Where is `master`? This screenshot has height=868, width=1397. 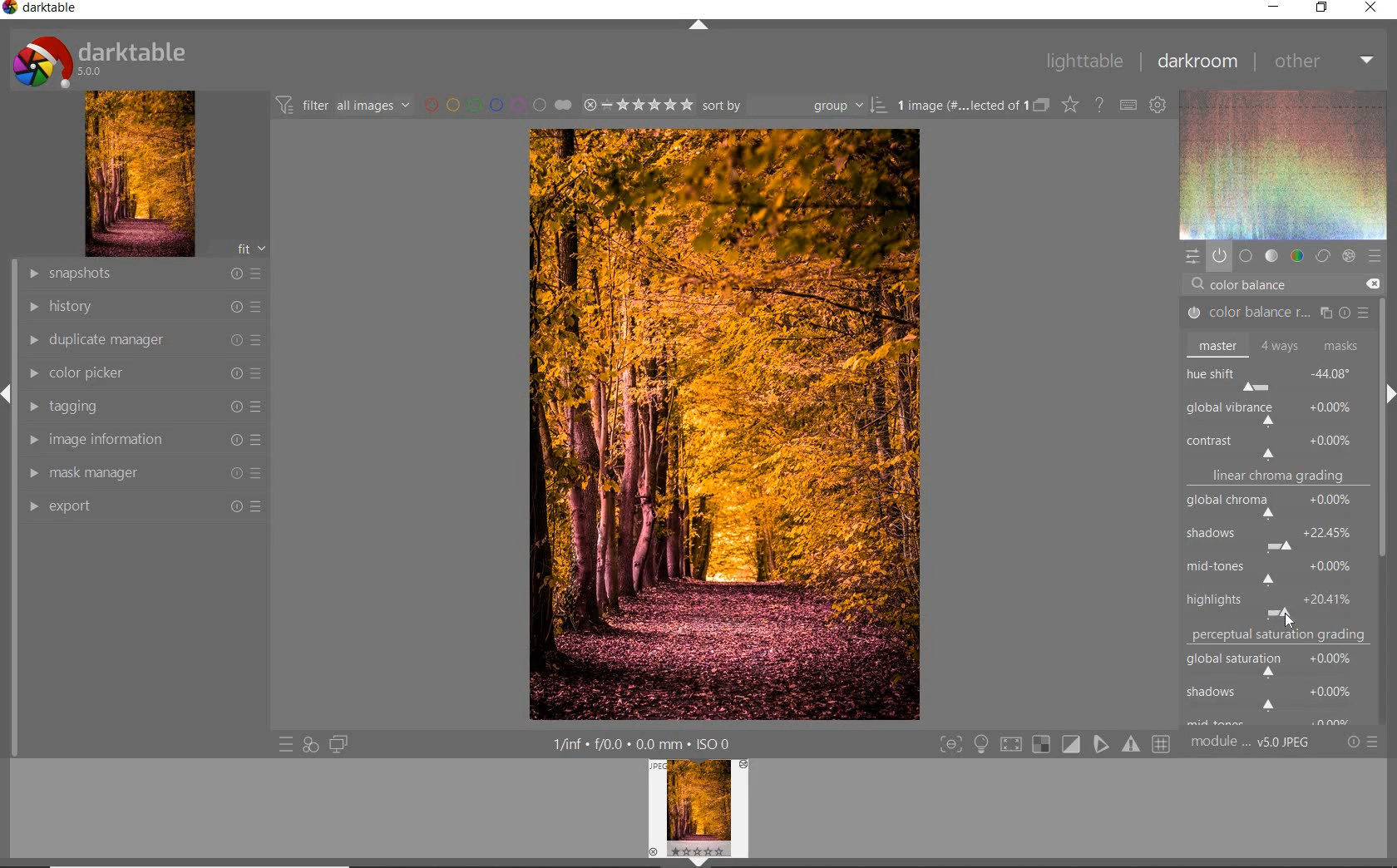
master is located at coordinates (1274, 345).